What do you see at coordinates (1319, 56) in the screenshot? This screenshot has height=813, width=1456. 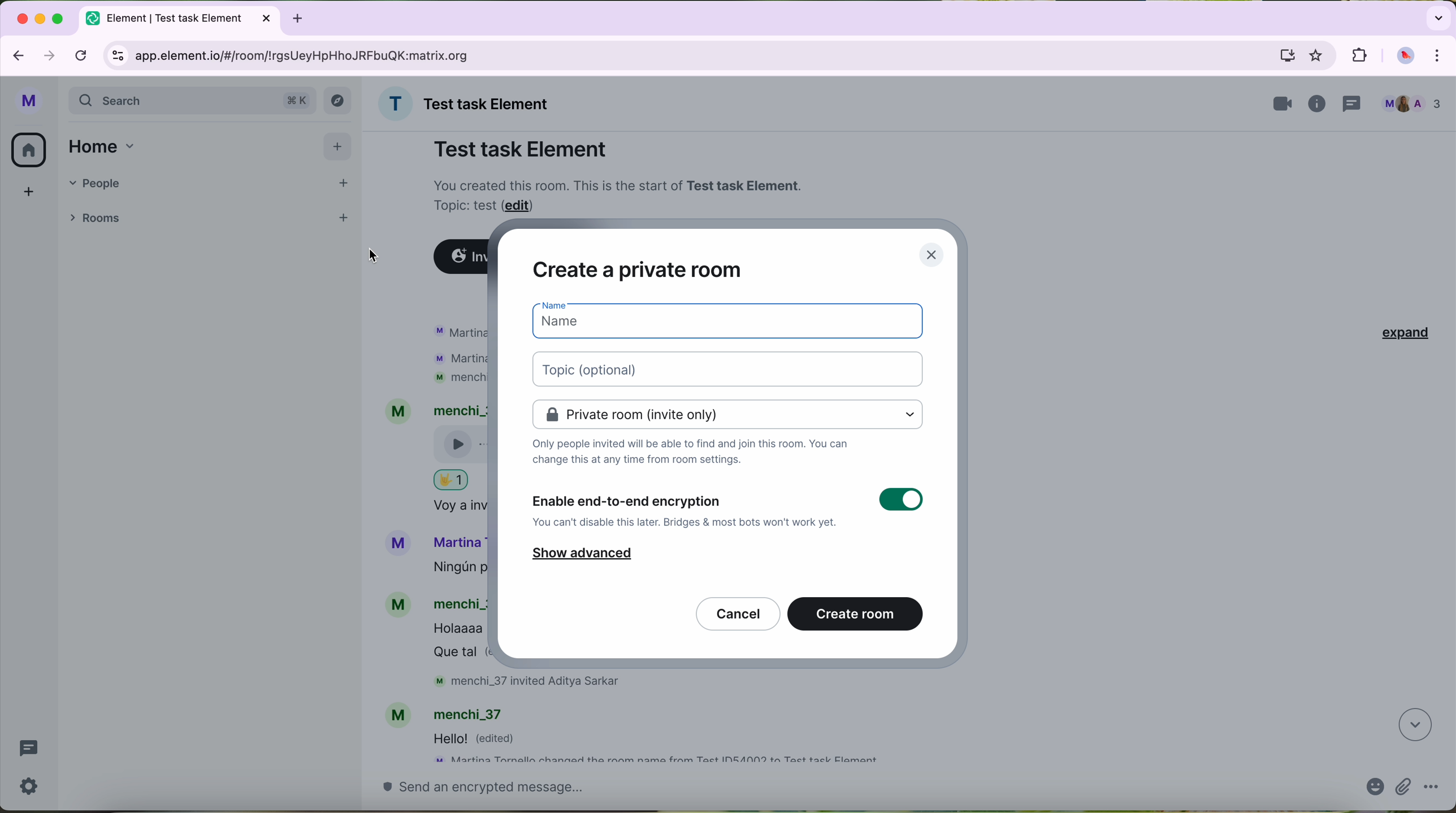 I see `favorites` at bounding box center [1319, 56].